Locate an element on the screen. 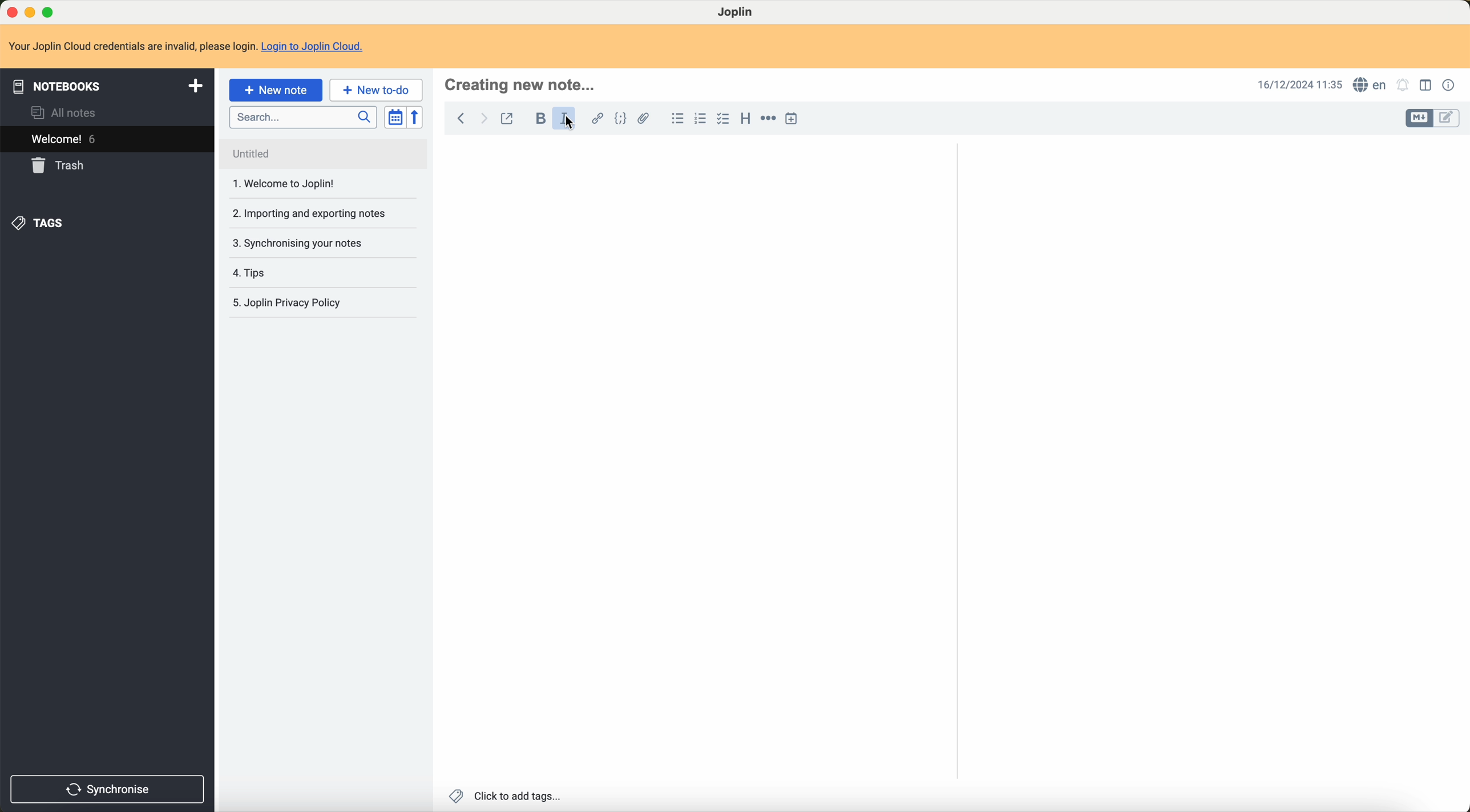 The image size is (1470, 812). horizontal rule is located at coordinates (768, 118).